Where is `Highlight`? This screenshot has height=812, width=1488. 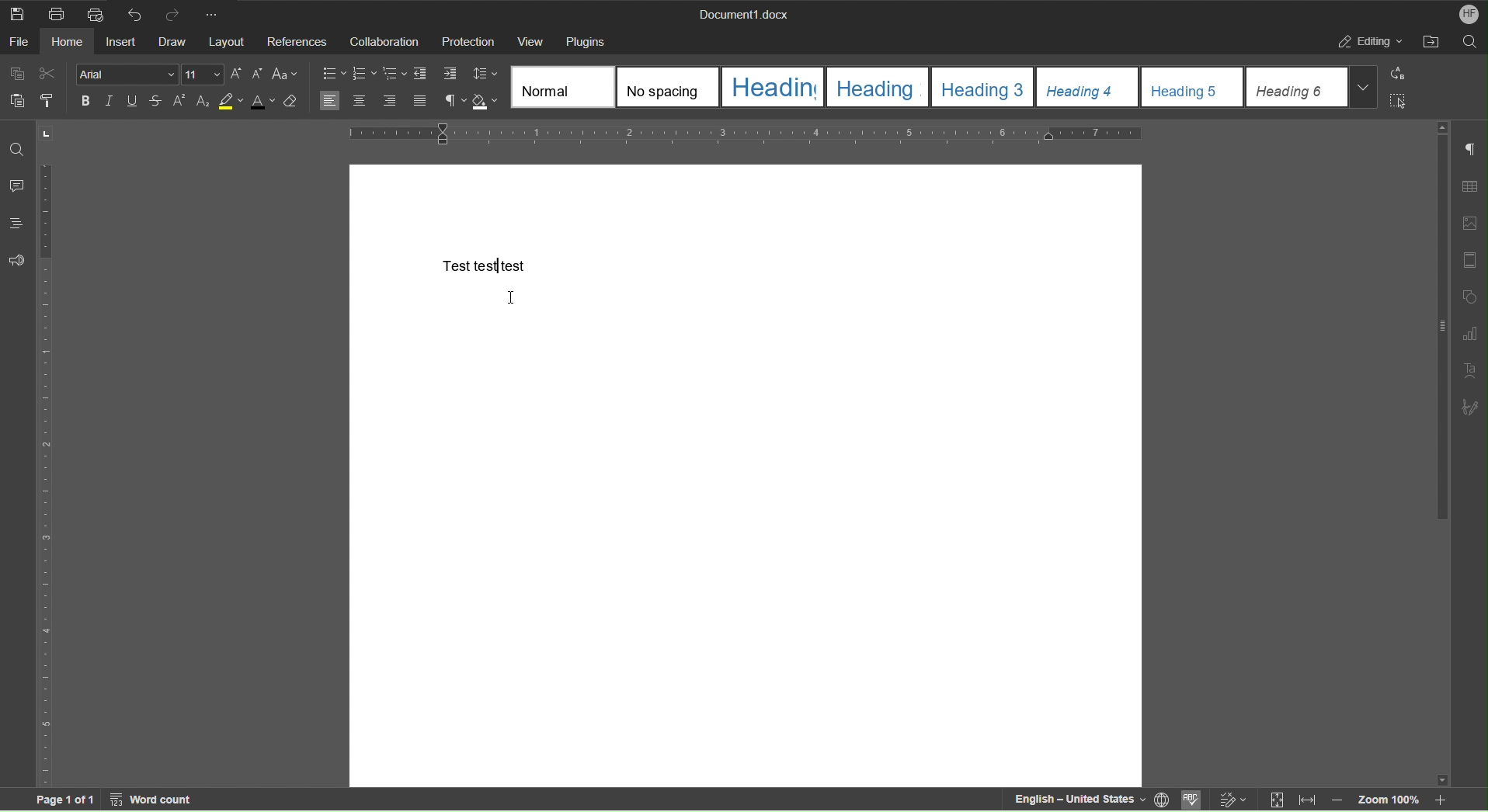
Highlight is located at coordinates (231, 102).